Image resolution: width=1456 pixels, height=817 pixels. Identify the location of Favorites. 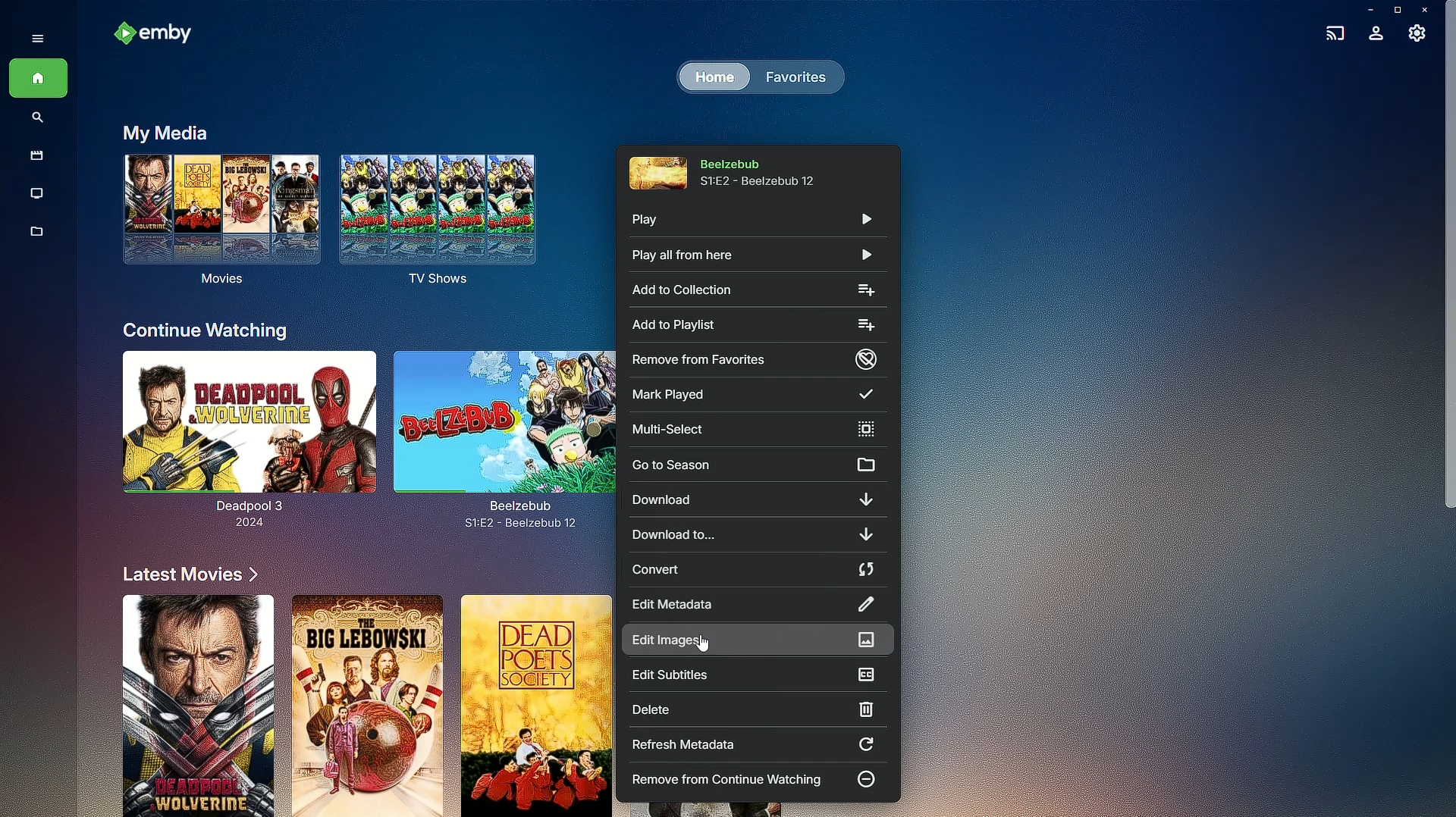
(792, 76).